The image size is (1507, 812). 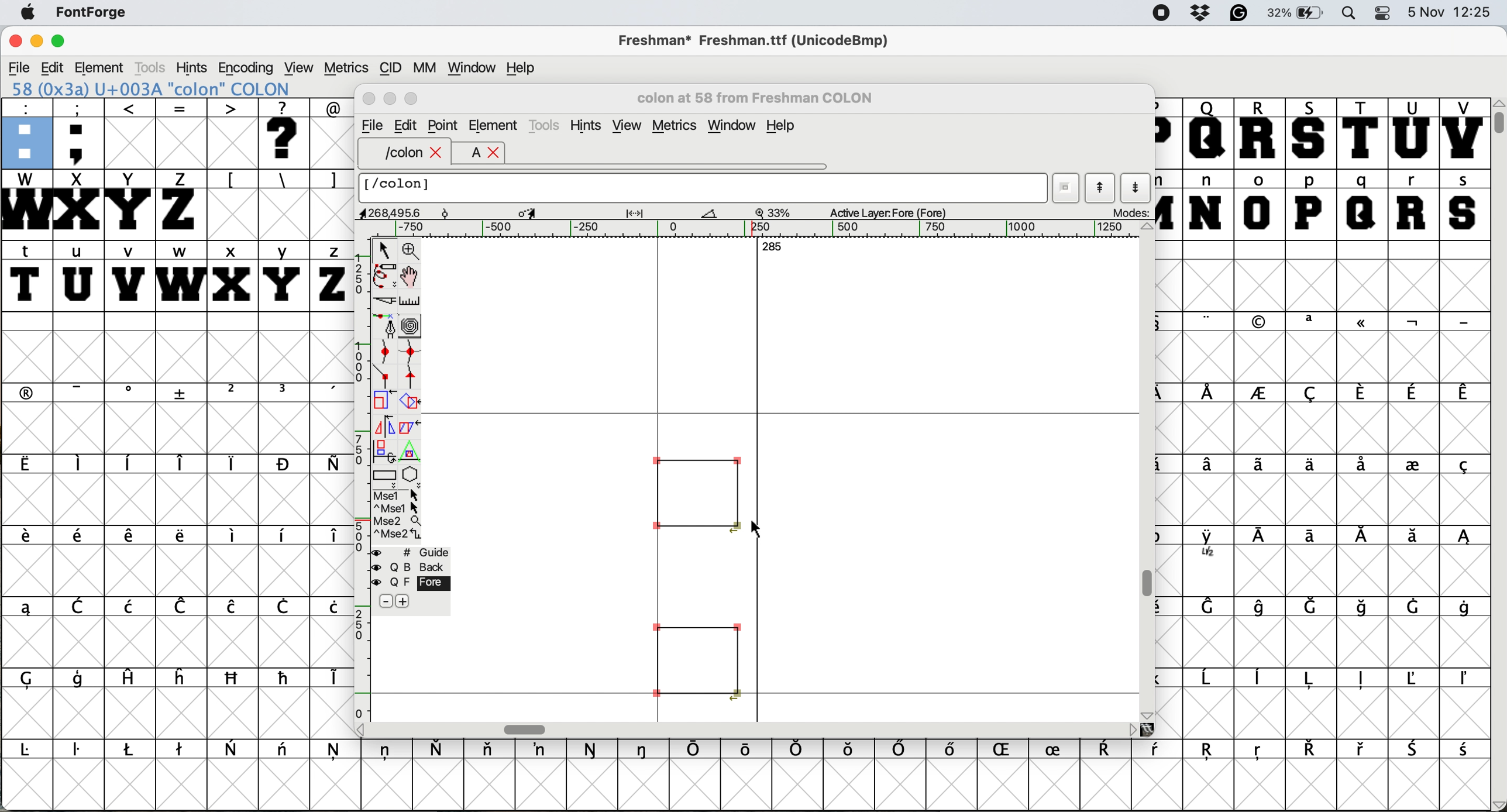 I want to click on symbol, so click(x=1464, y=751).